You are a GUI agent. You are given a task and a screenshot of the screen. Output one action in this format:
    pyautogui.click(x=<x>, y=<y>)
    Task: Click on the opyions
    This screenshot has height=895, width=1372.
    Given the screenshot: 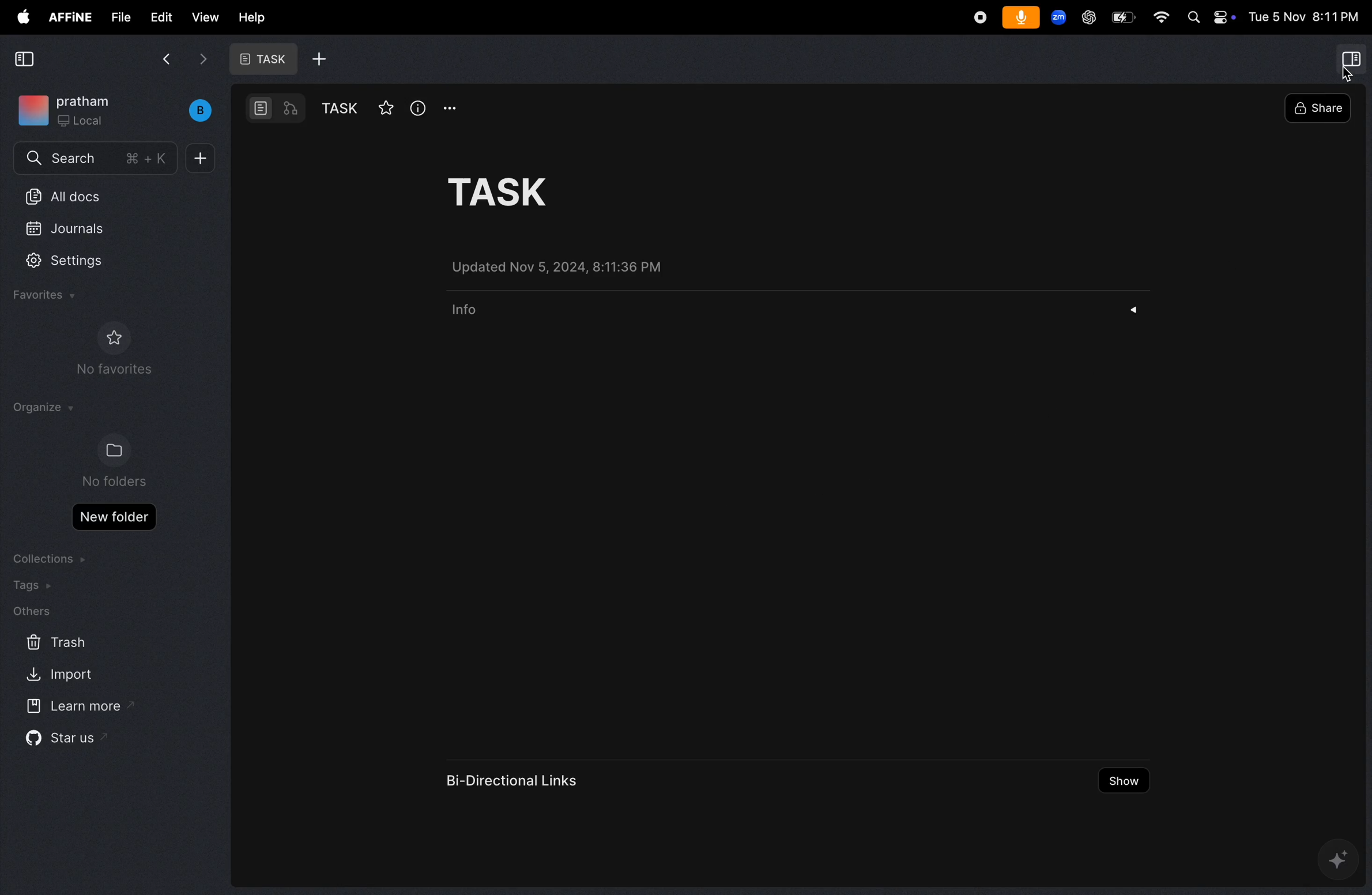 What is the action you would take?
    pyautogui.click(x=450, y=108)
    